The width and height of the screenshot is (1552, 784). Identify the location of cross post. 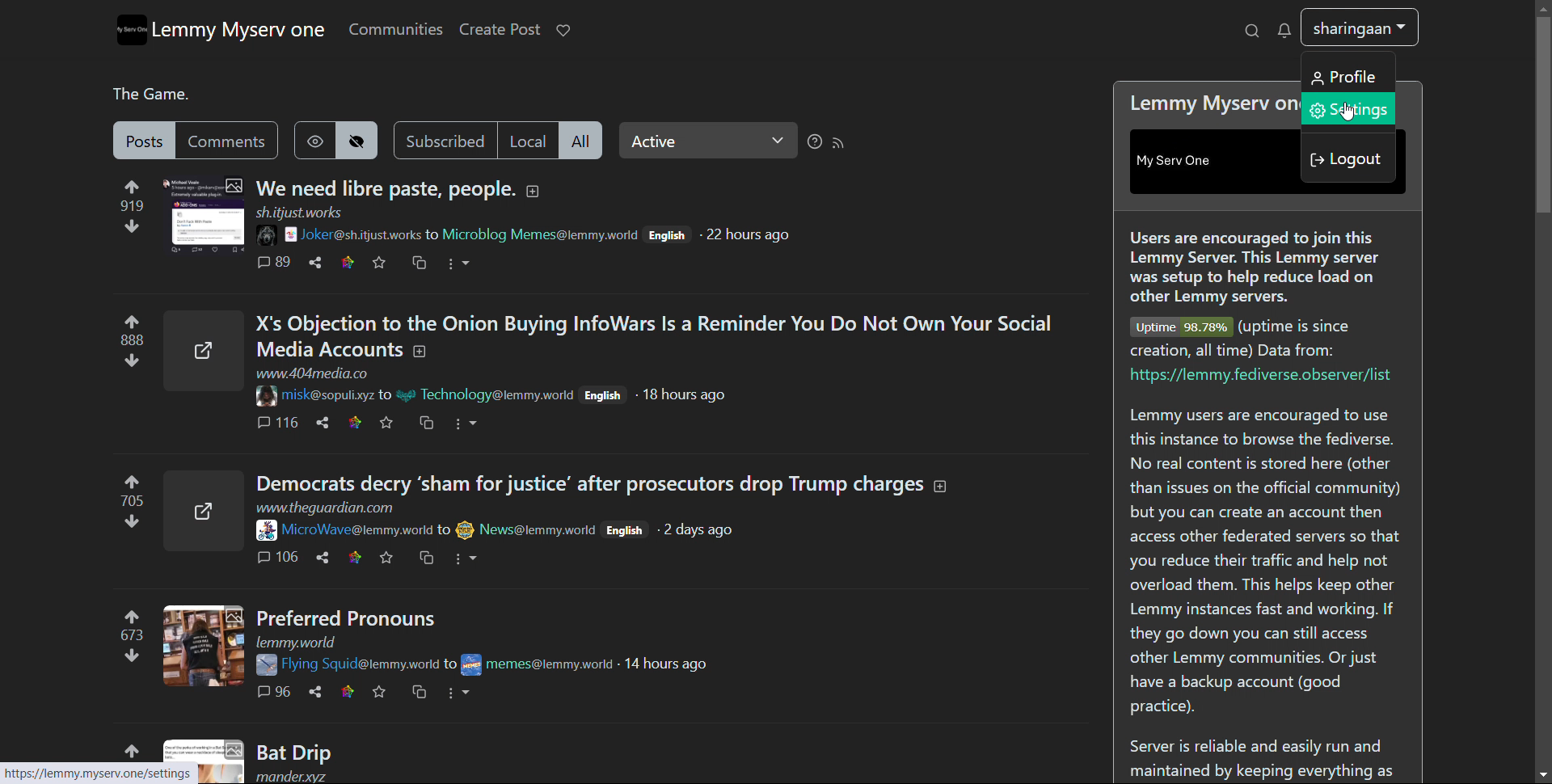
(424, 693).